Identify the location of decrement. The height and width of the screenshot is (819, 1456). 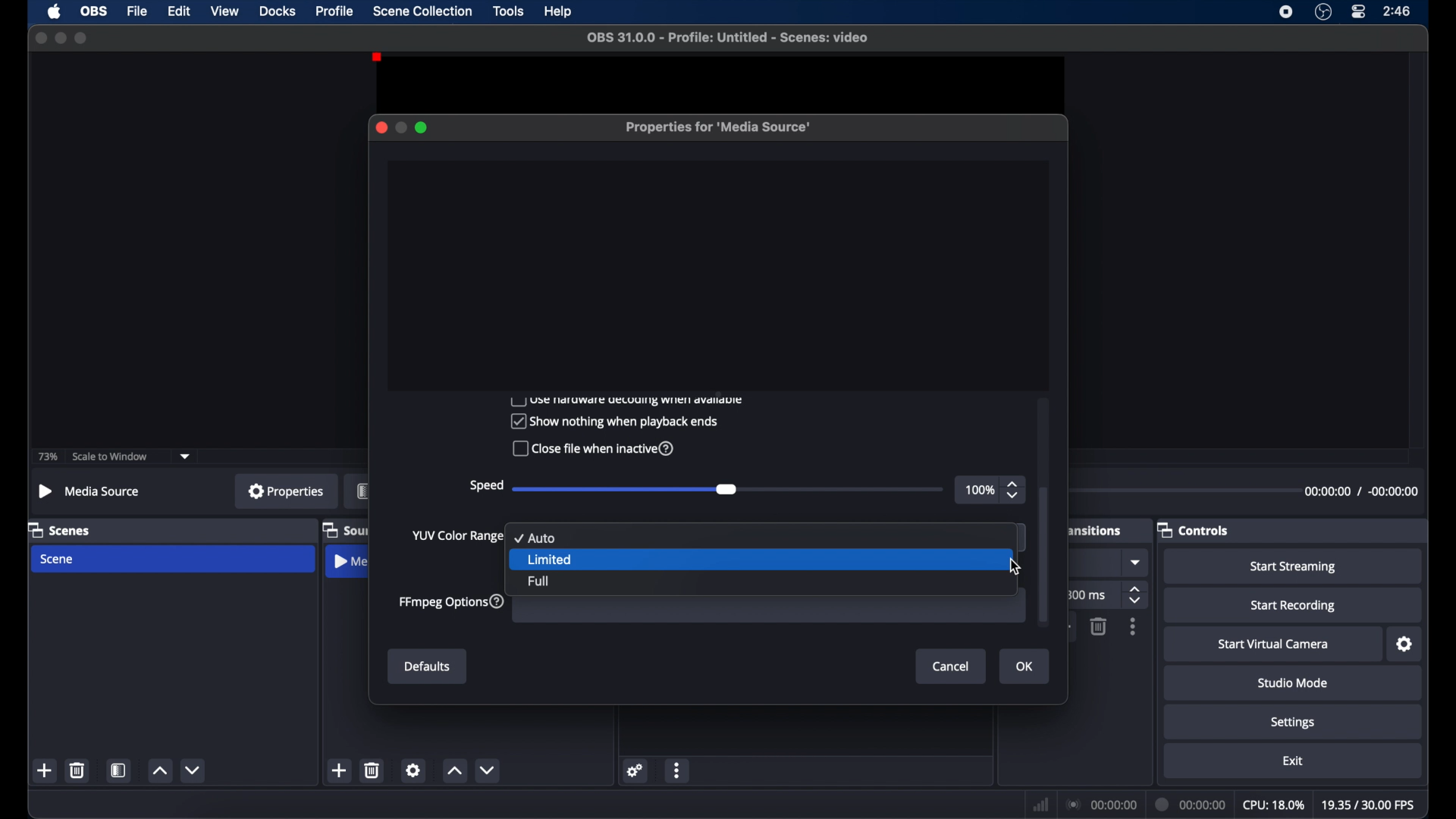
(491, 770).